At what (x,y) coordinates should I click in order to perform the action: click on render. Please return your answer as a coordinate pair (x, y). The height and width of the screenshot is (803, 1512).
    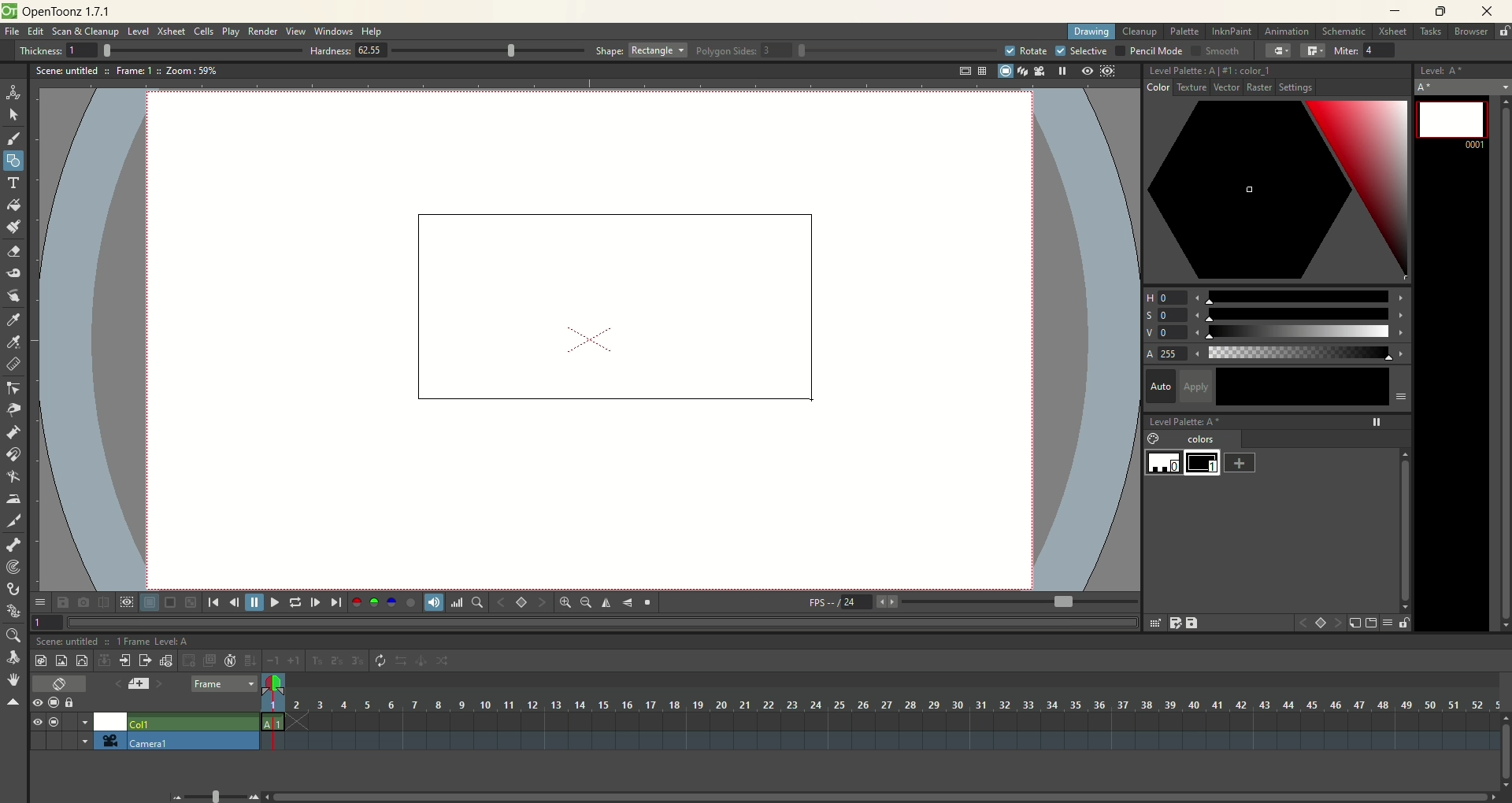
    Looking at the image, I should click on (264, 32).